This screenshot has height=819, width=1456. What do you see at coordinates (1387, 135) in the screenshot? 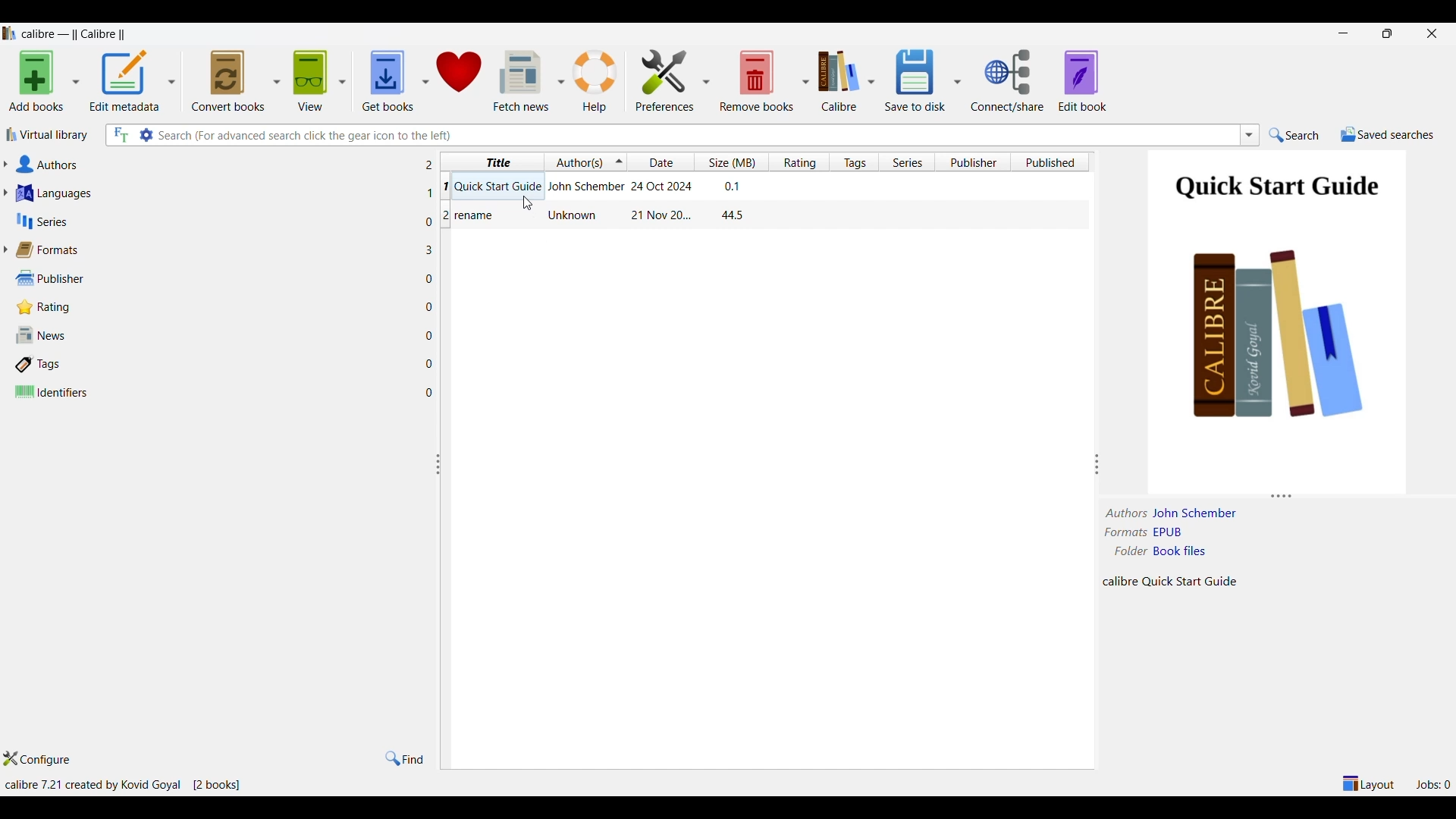
I see `Save searches` at bounding box center [1387, 135].